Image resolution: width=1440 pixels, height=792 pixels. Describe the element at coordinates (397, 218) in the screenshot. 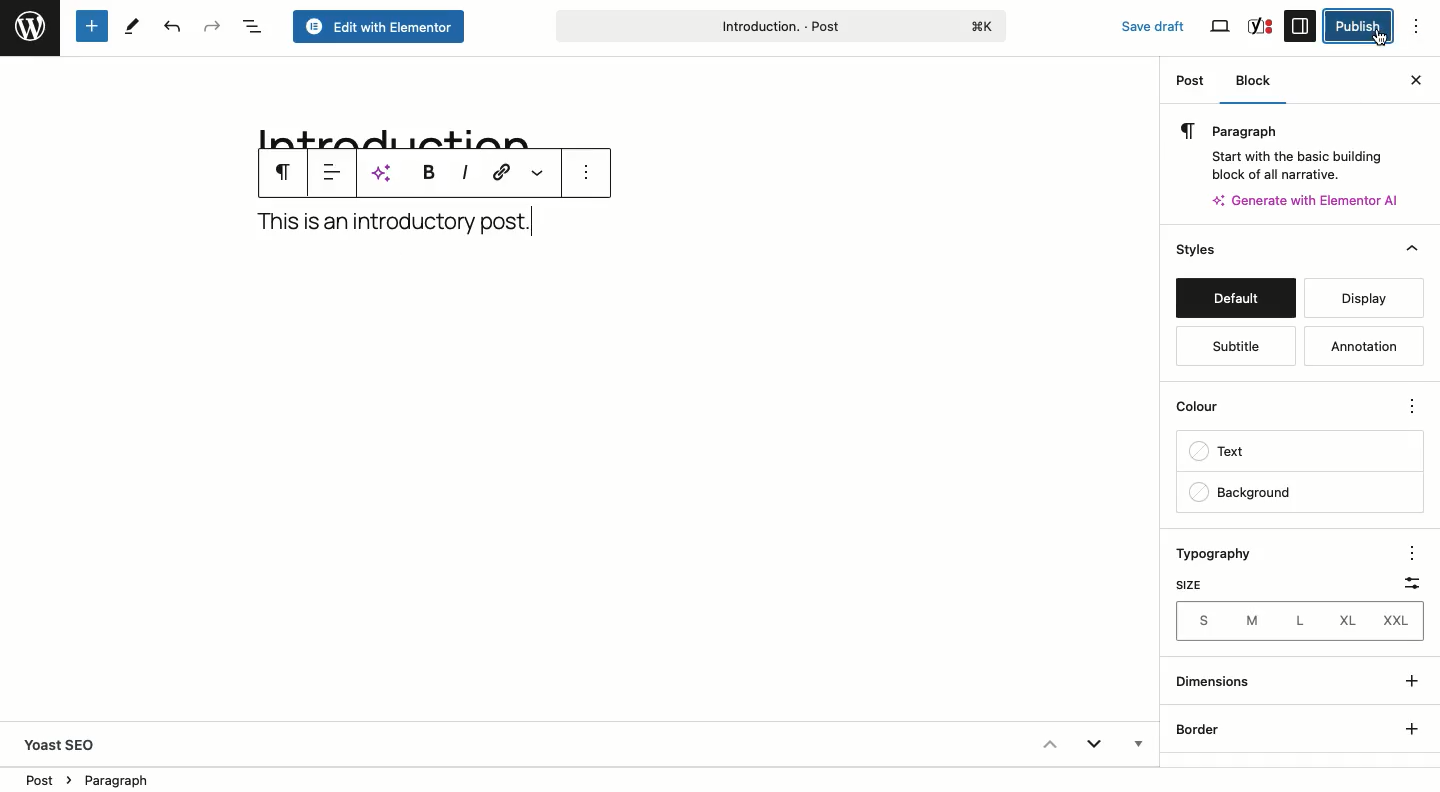

I see `[Type / to choose a block` at that location.